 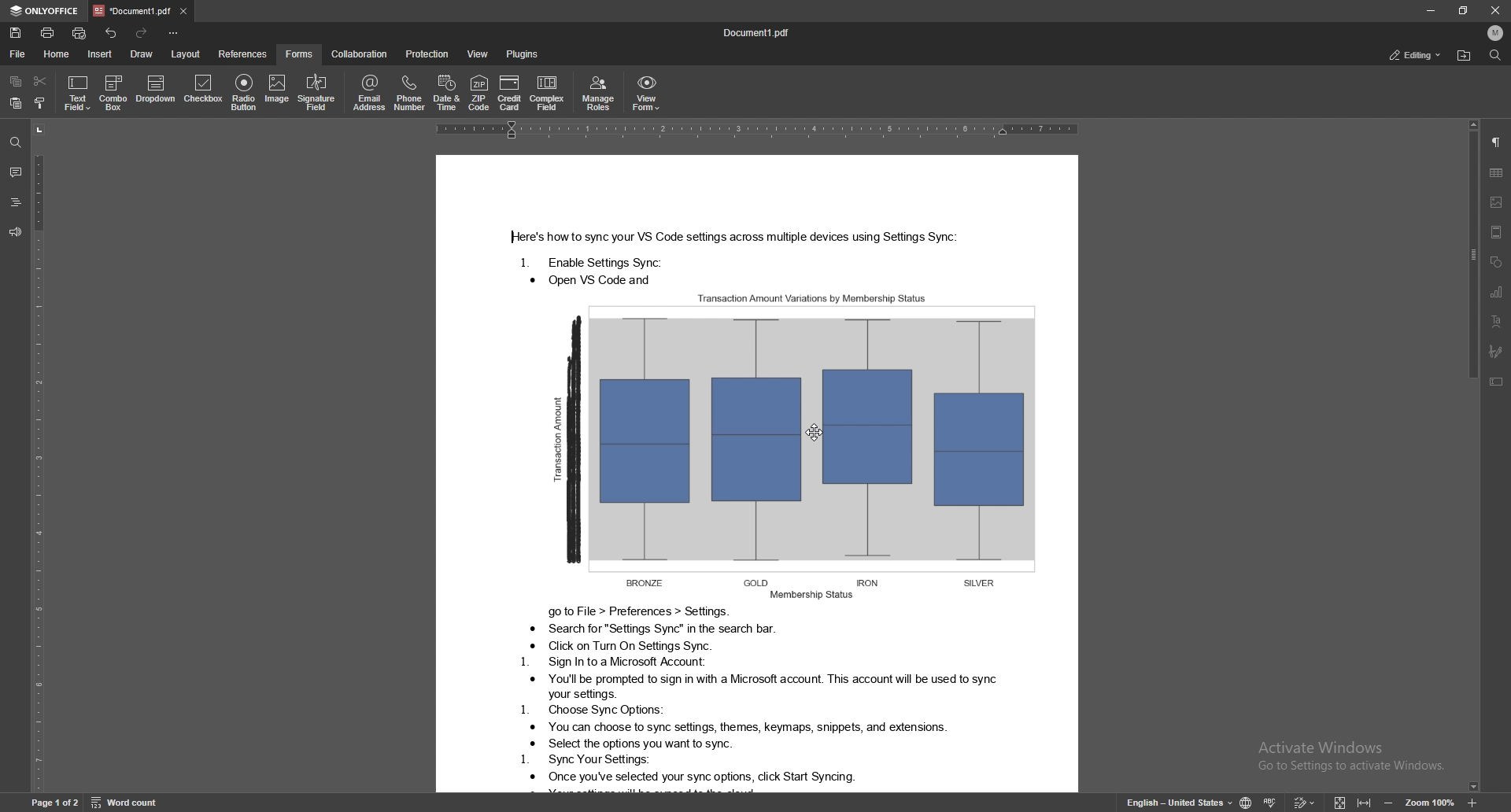 I want to click on page, so click(x=54, y=801).